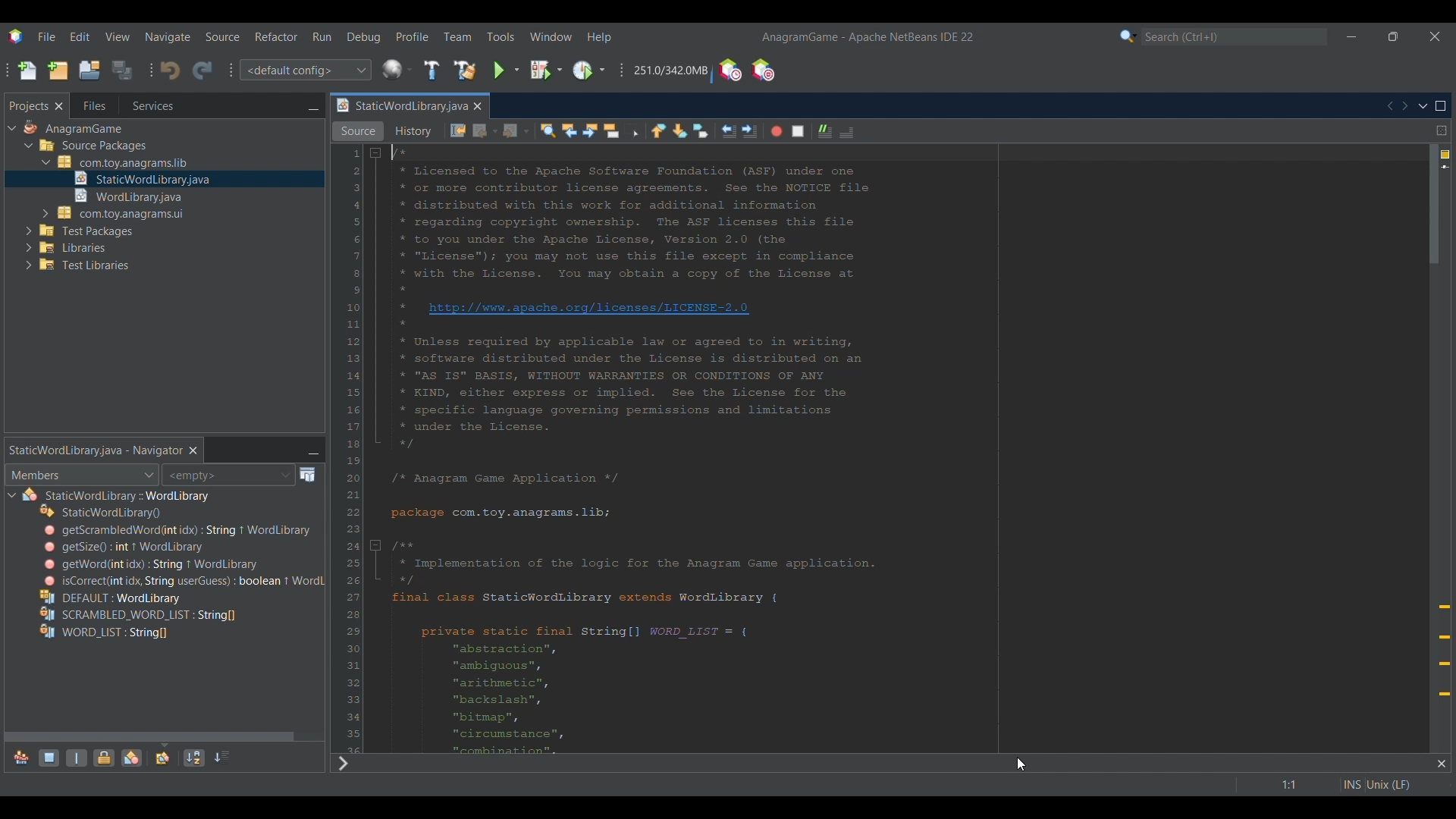  I want to click on Start macro recording, so click(777, 131).